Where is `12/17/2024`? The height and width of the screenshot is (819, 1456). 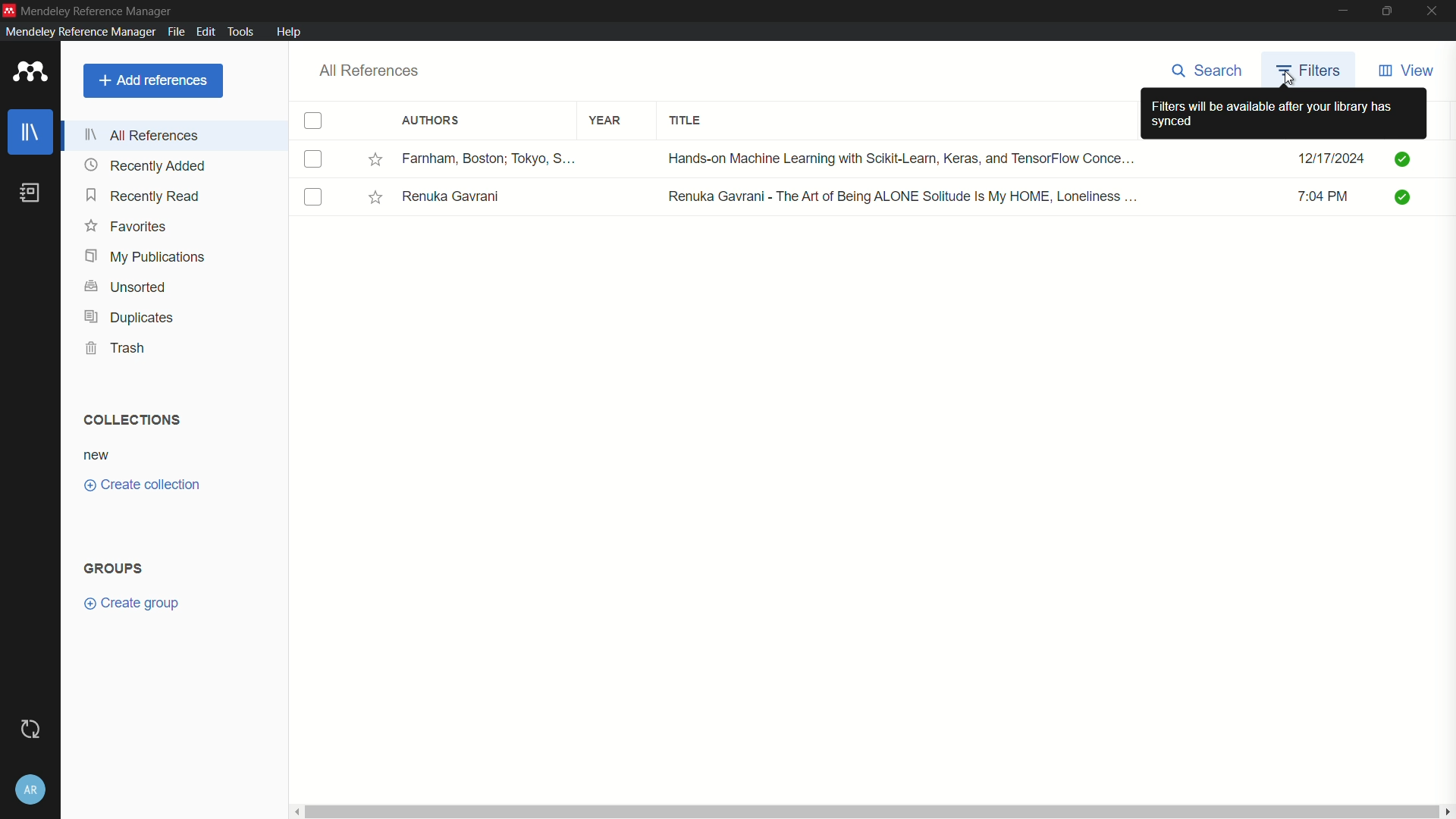
12/17/2024 is located at coordinates (1331, 158).